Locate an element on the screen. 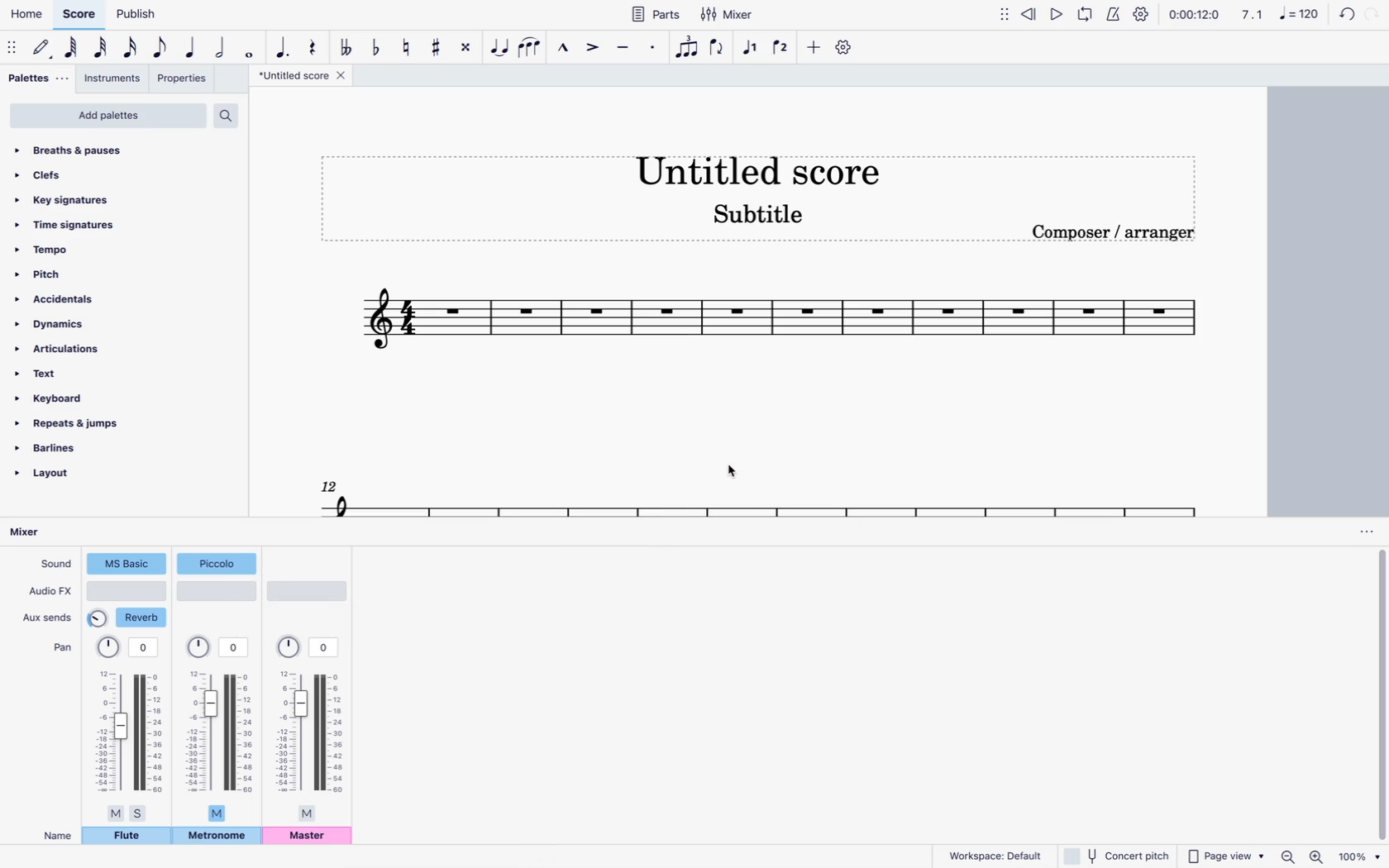  mixer is located at coordinates (32, 532).